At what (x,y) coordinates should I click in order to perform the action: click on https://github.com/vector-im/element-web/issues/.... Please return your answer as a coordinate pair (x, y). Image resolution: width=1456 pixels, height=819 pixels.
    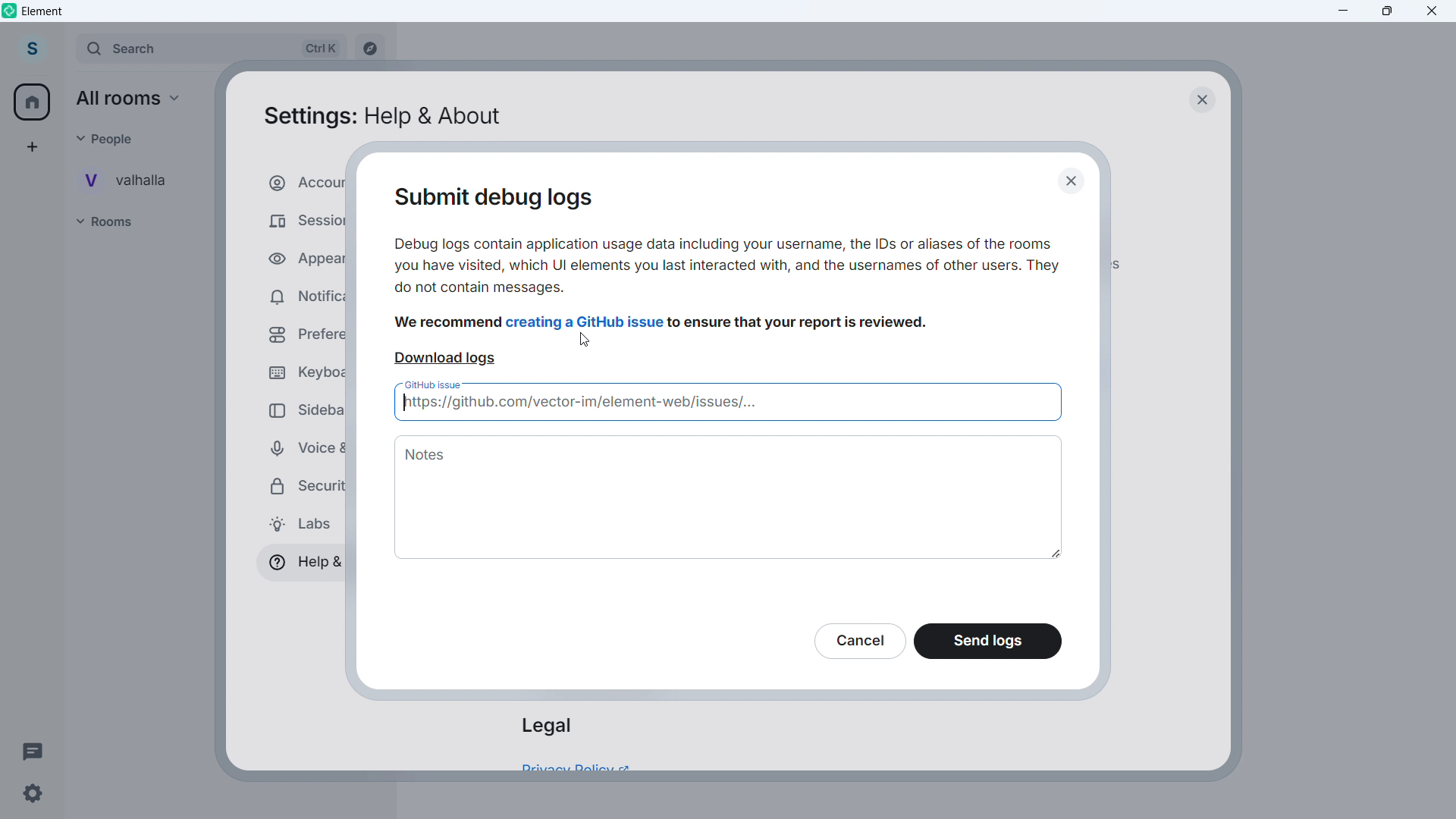
    Looking at the image, I should click on (727, 405).